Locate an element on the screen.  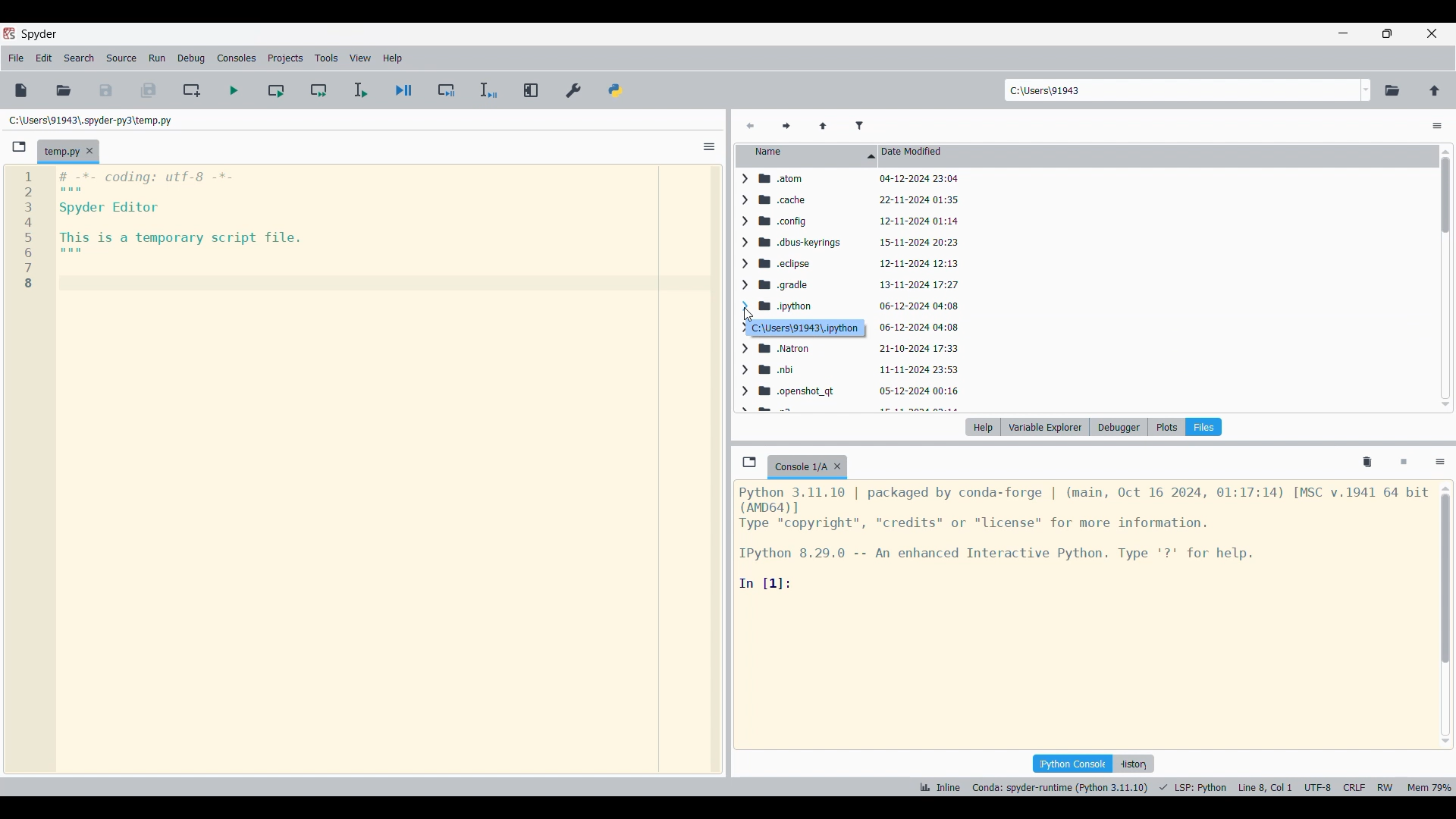
Debug selection/current line is located at coordinates (488, 90).